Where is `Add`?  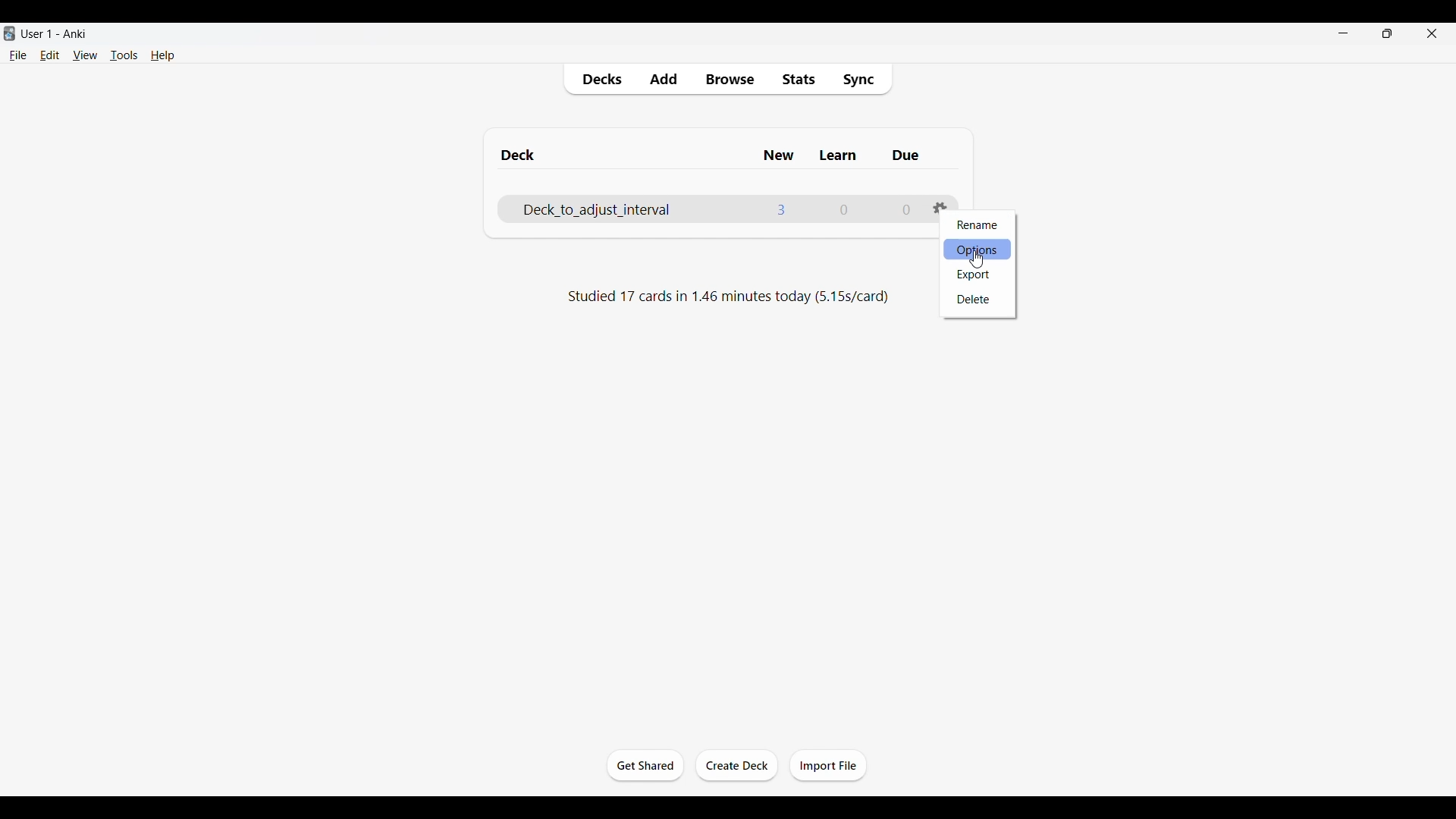 Add is located at coordinates (665, 80).